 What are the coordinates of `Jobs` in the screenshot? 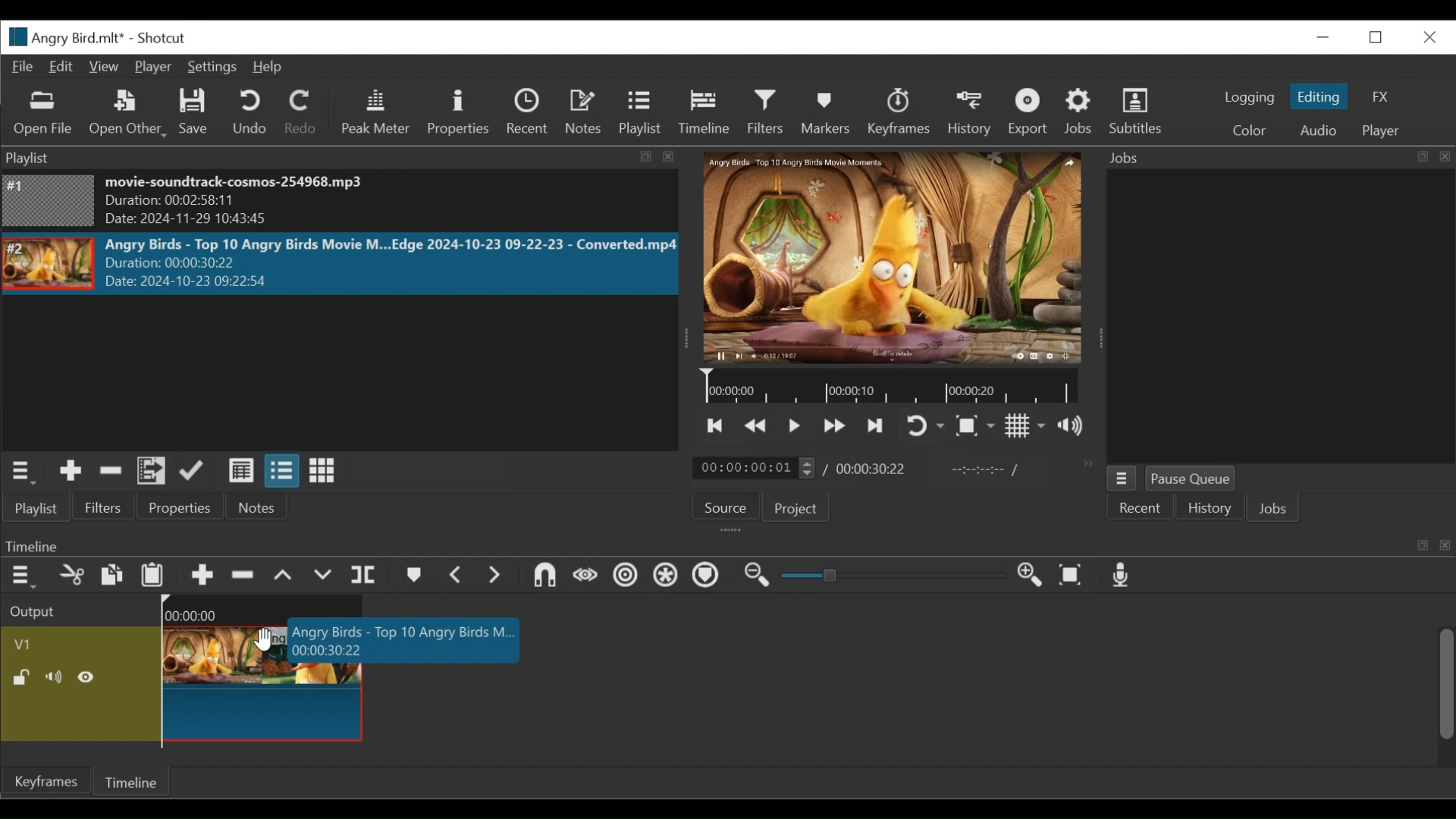 It's located at (1276, 508).